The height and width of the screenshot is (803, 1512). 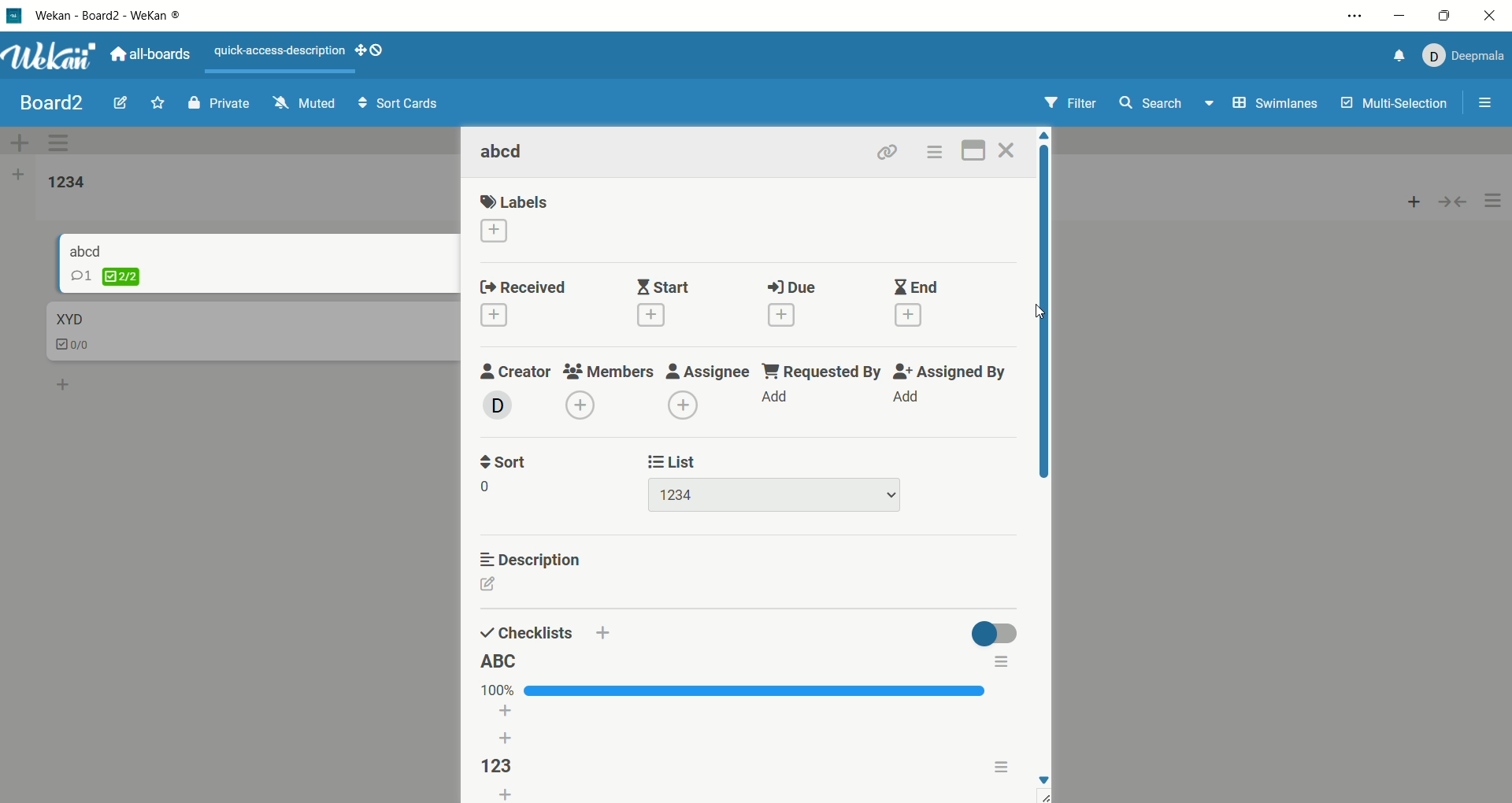 I want to click on list title, so click(x=67, y=183).